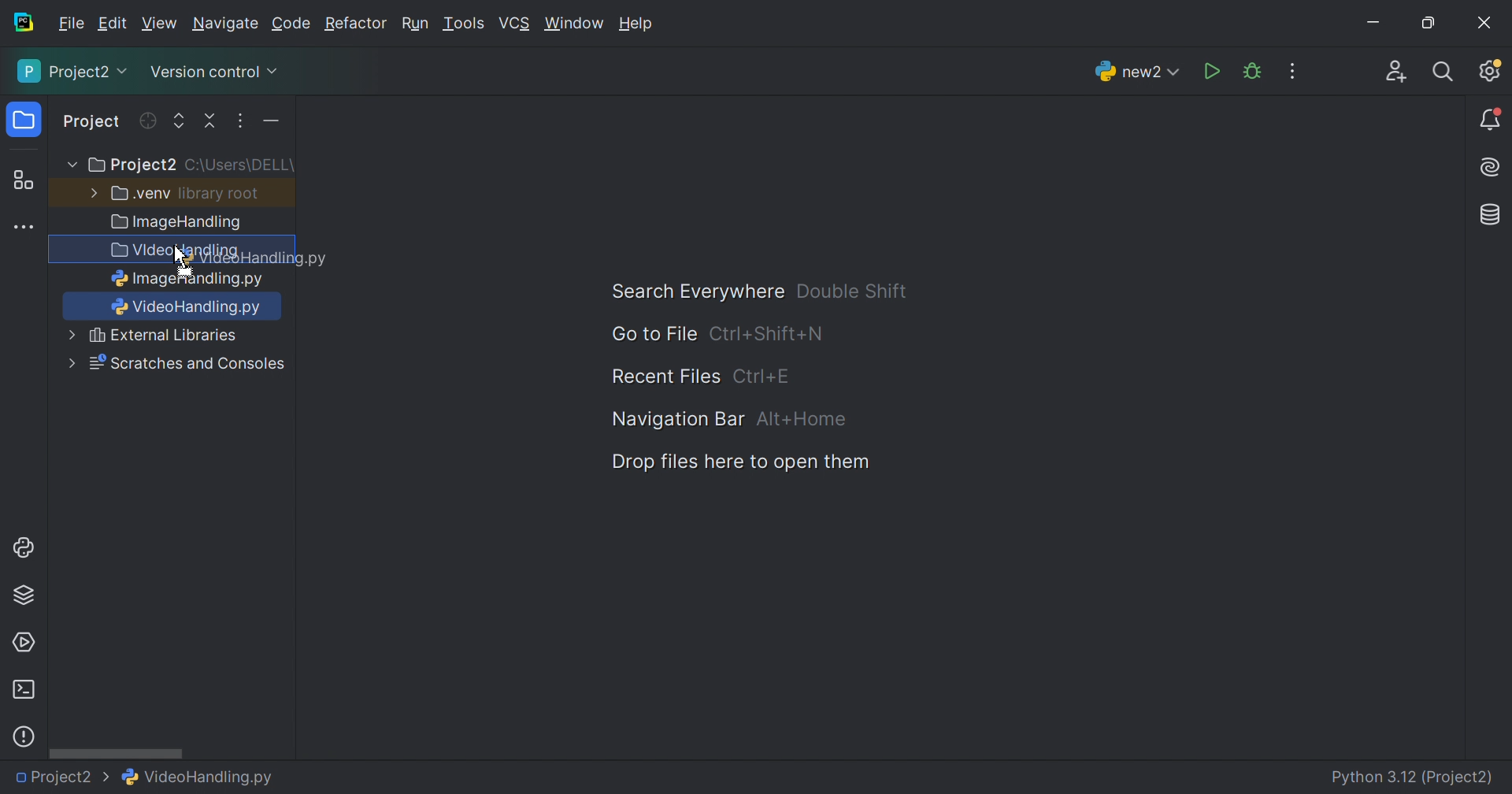 This screenshot has height=794, width=1512. What do you see at coordinates (1444, 72) in the screenshot?
I see `Search everywhere` at bounding box center [1444, 72].